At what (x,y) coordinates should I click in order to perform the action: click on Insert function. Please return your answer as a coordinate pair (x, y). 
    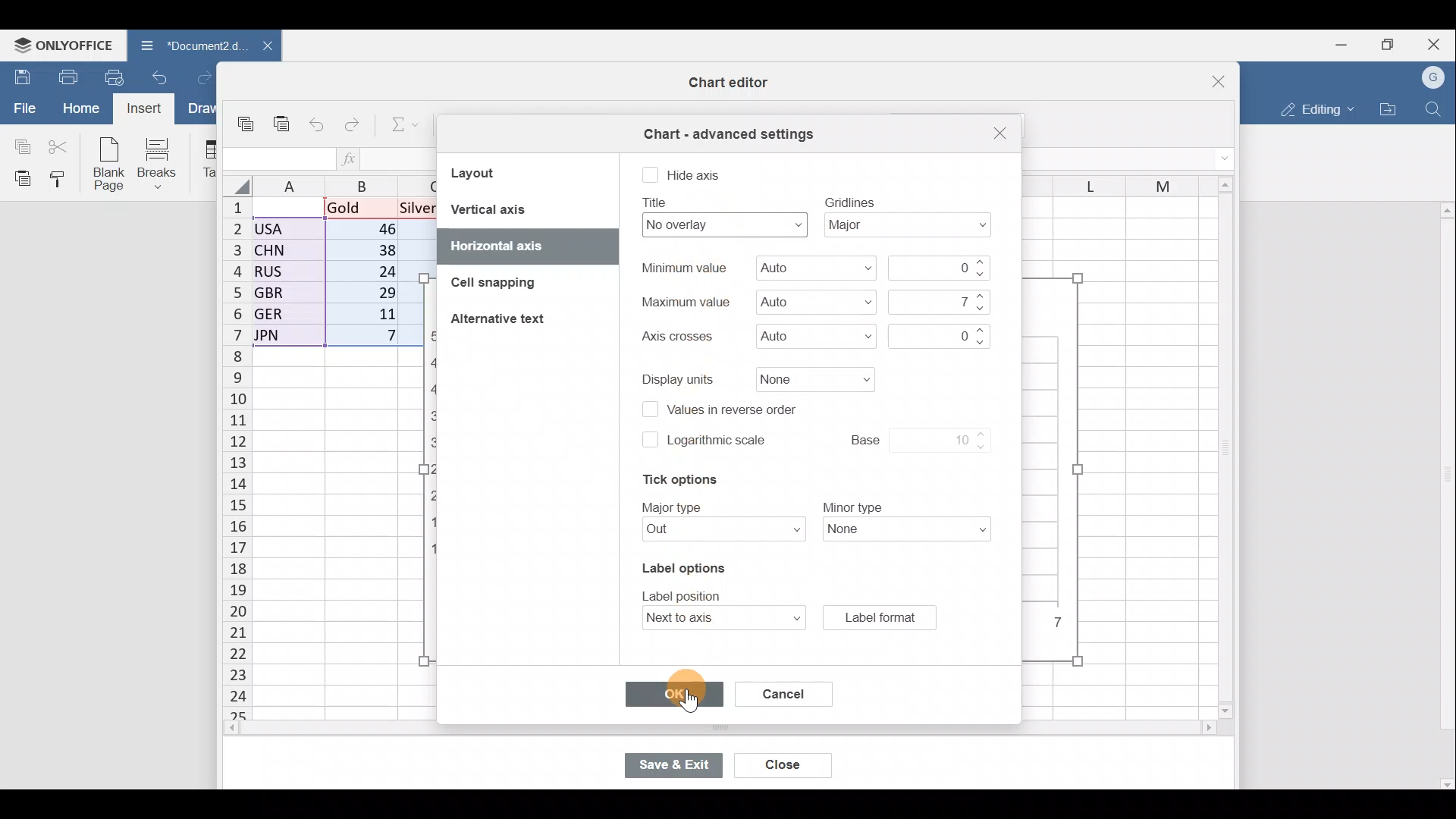
    Looking at the image, I should click on (350, 158).